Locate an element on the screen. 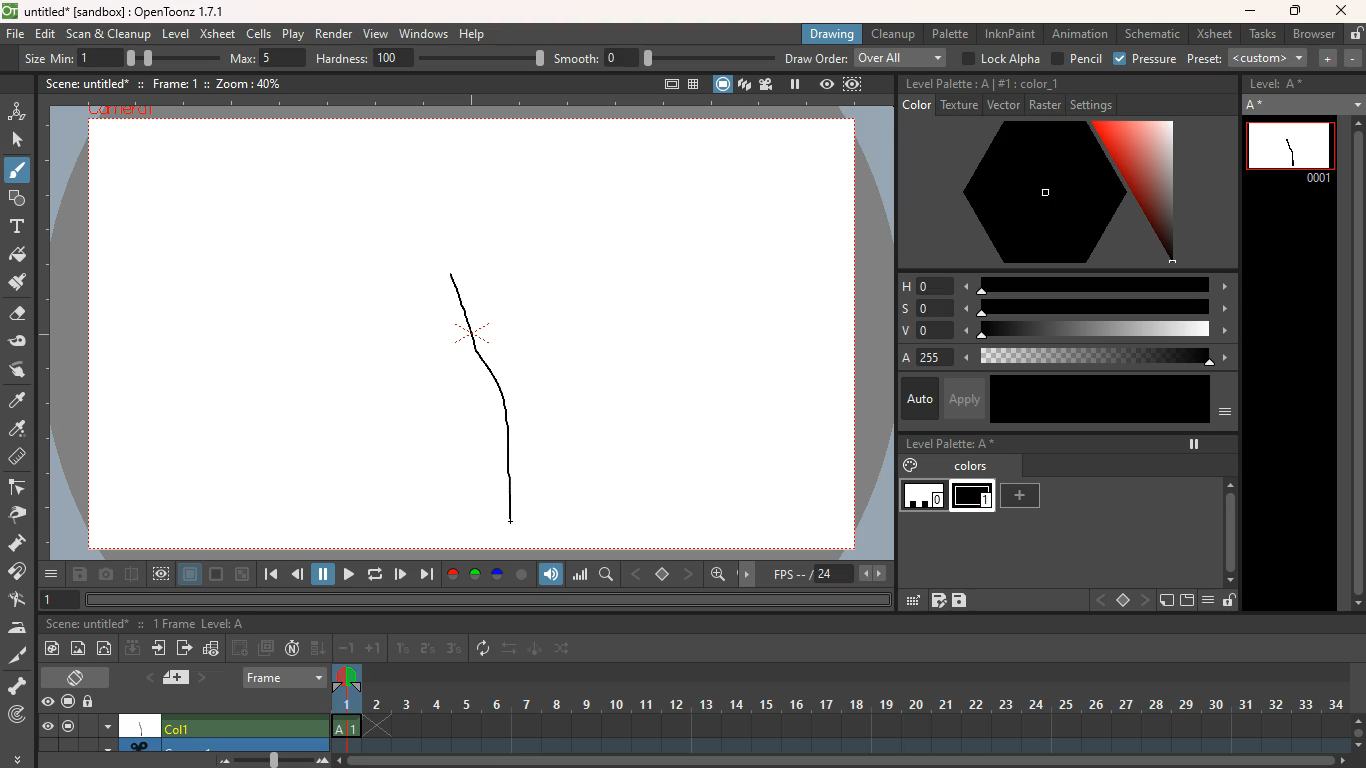  v is located at coordinates (918, 332).